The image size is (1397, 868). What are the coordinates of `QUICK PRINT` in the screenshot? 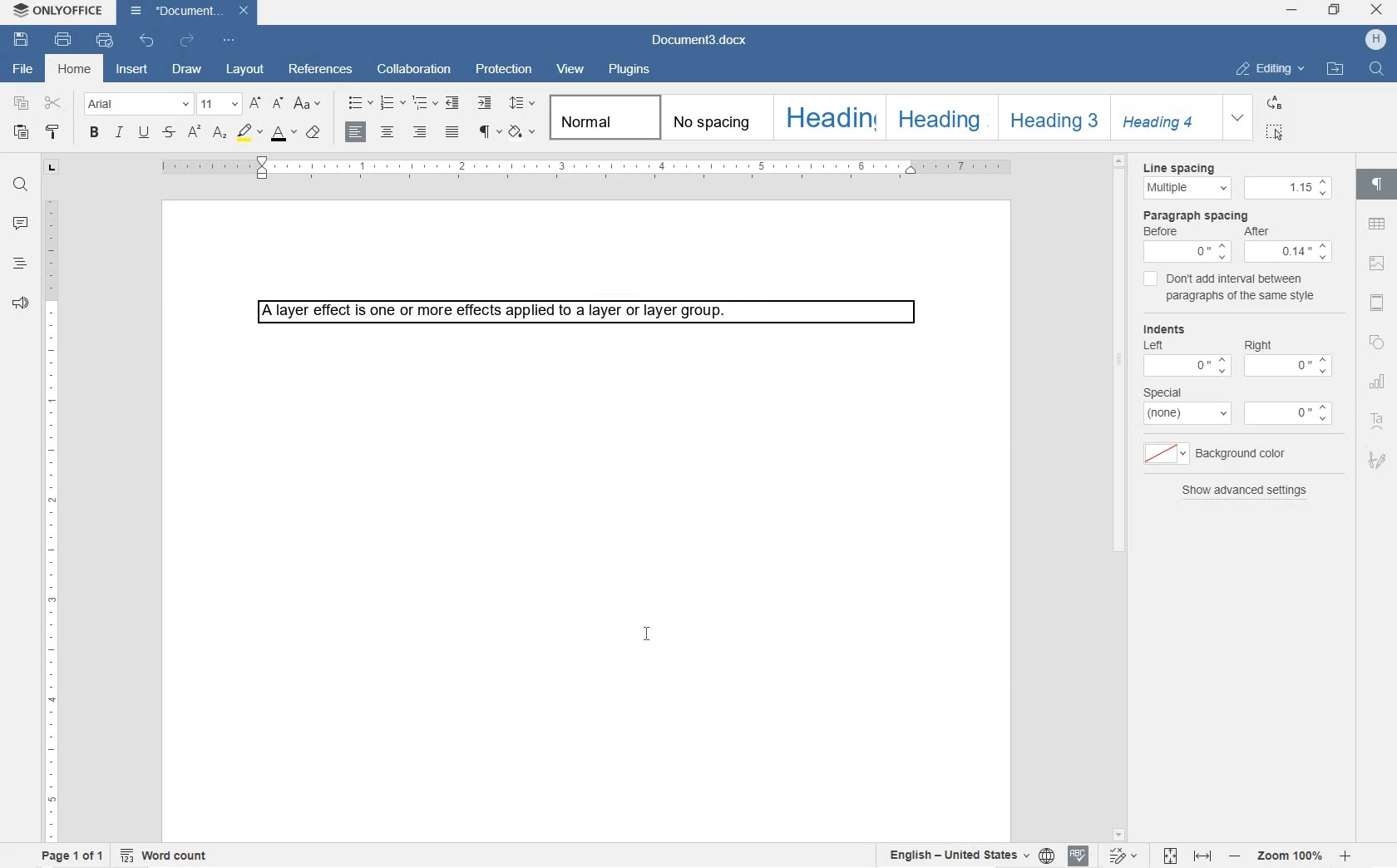 It's located at (105, 42).